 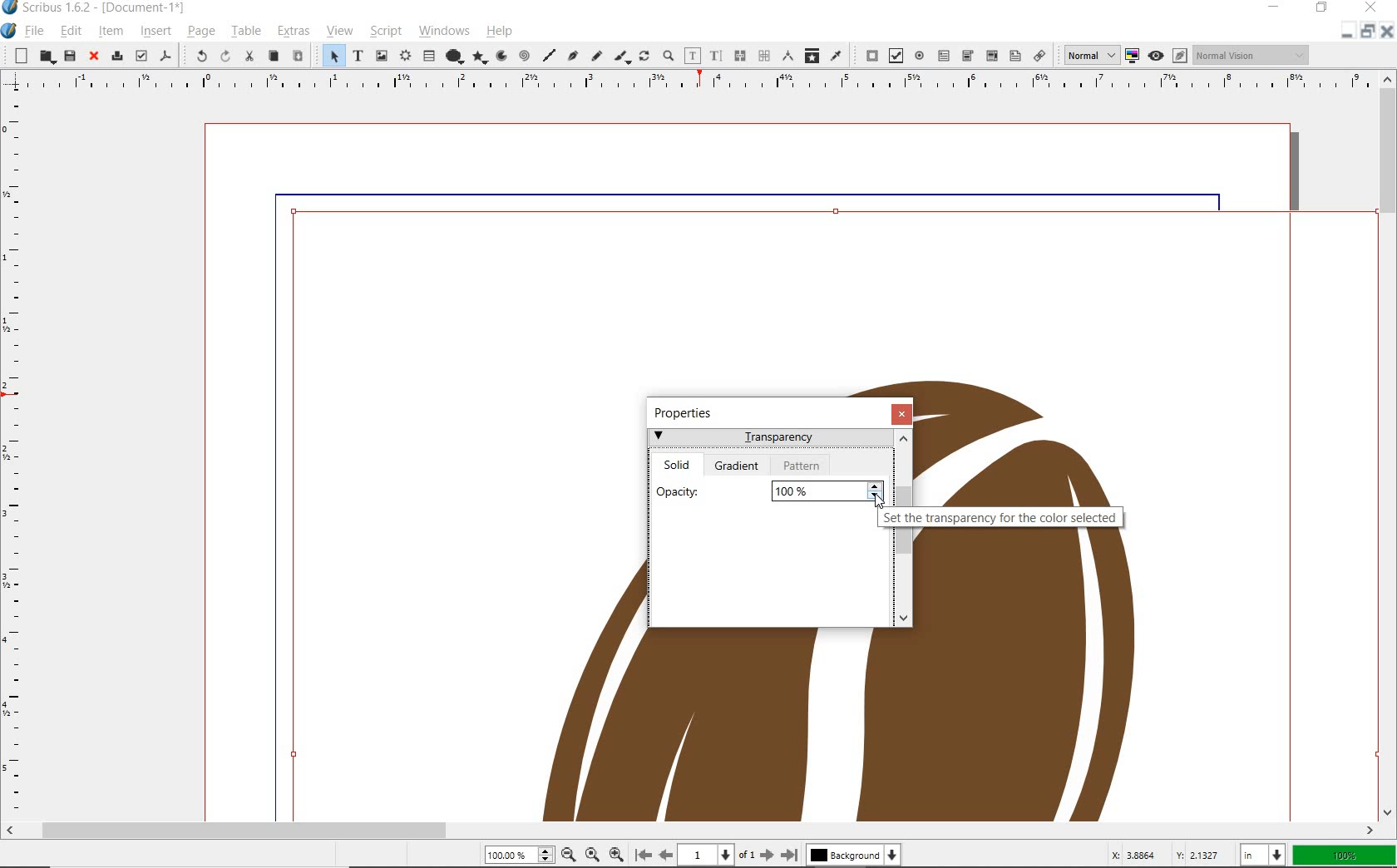 I want to click on Vertical Margin, so click(x=14, y=458).